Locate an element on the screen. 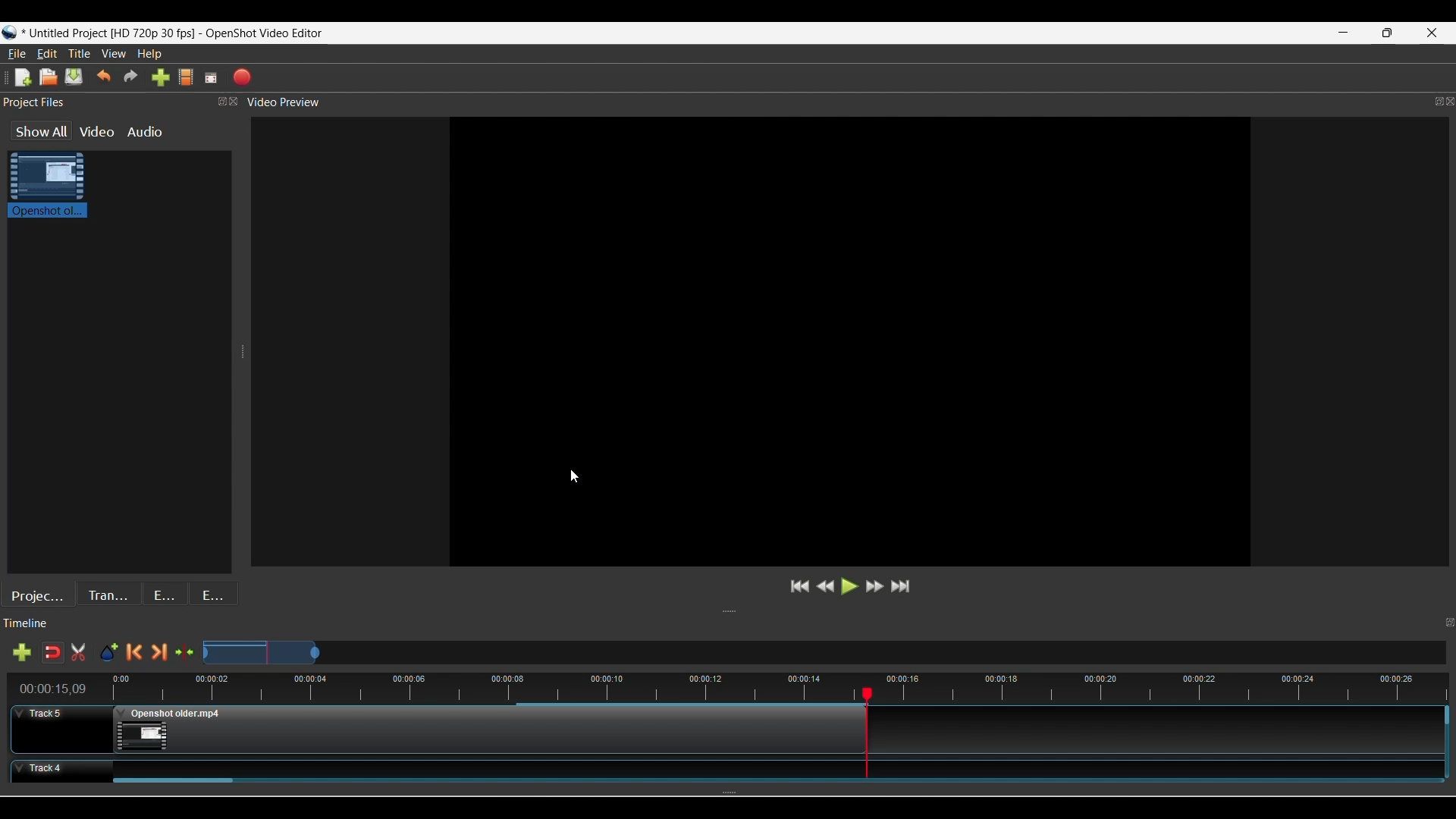  Fullscreen is located at coordinates (210, 77).